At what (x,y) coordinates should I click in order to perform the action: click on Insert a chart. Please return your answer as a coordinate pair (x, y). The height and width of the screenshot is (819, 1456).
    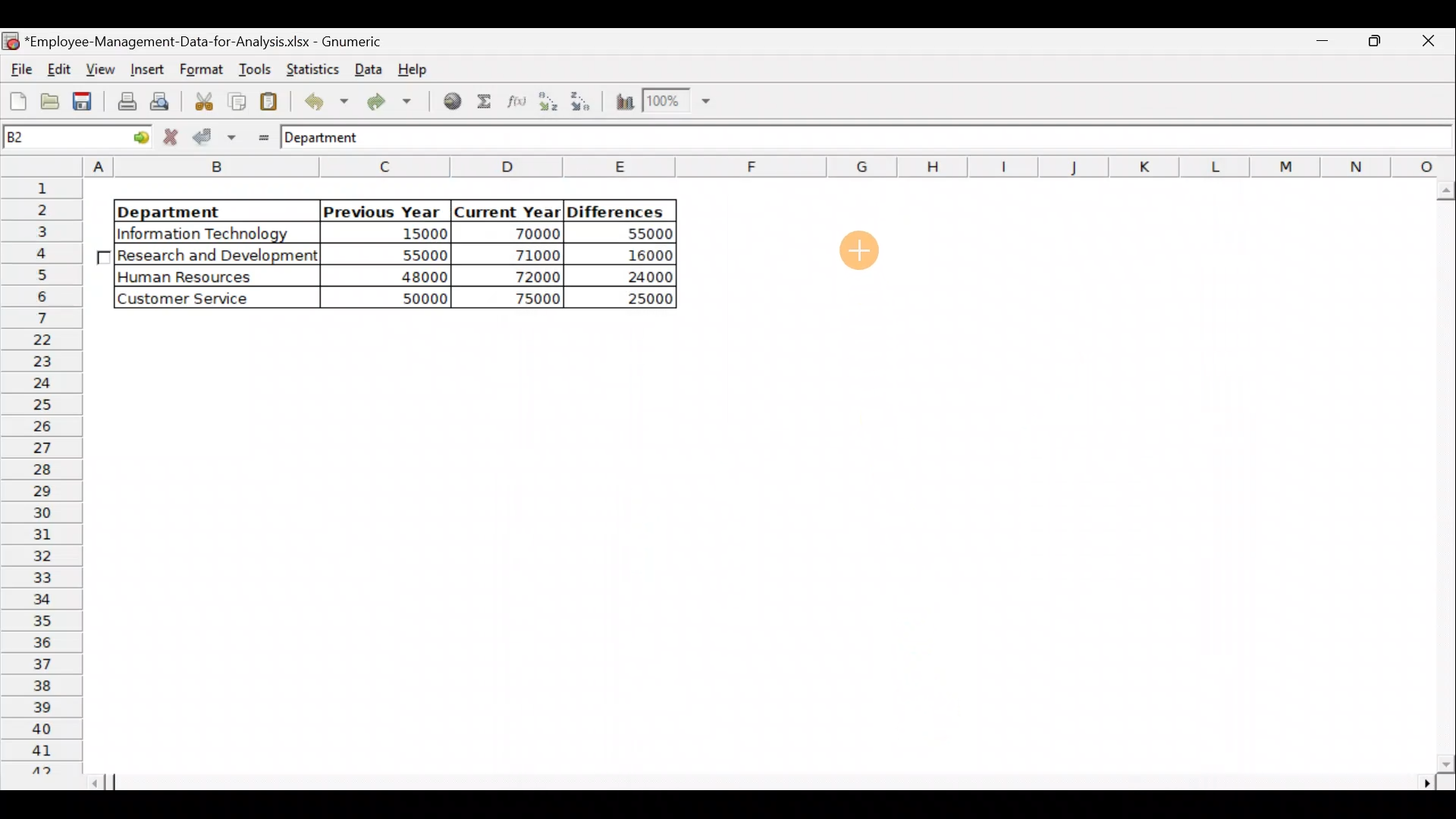
    Looking at the image, I should click on (623, 102).